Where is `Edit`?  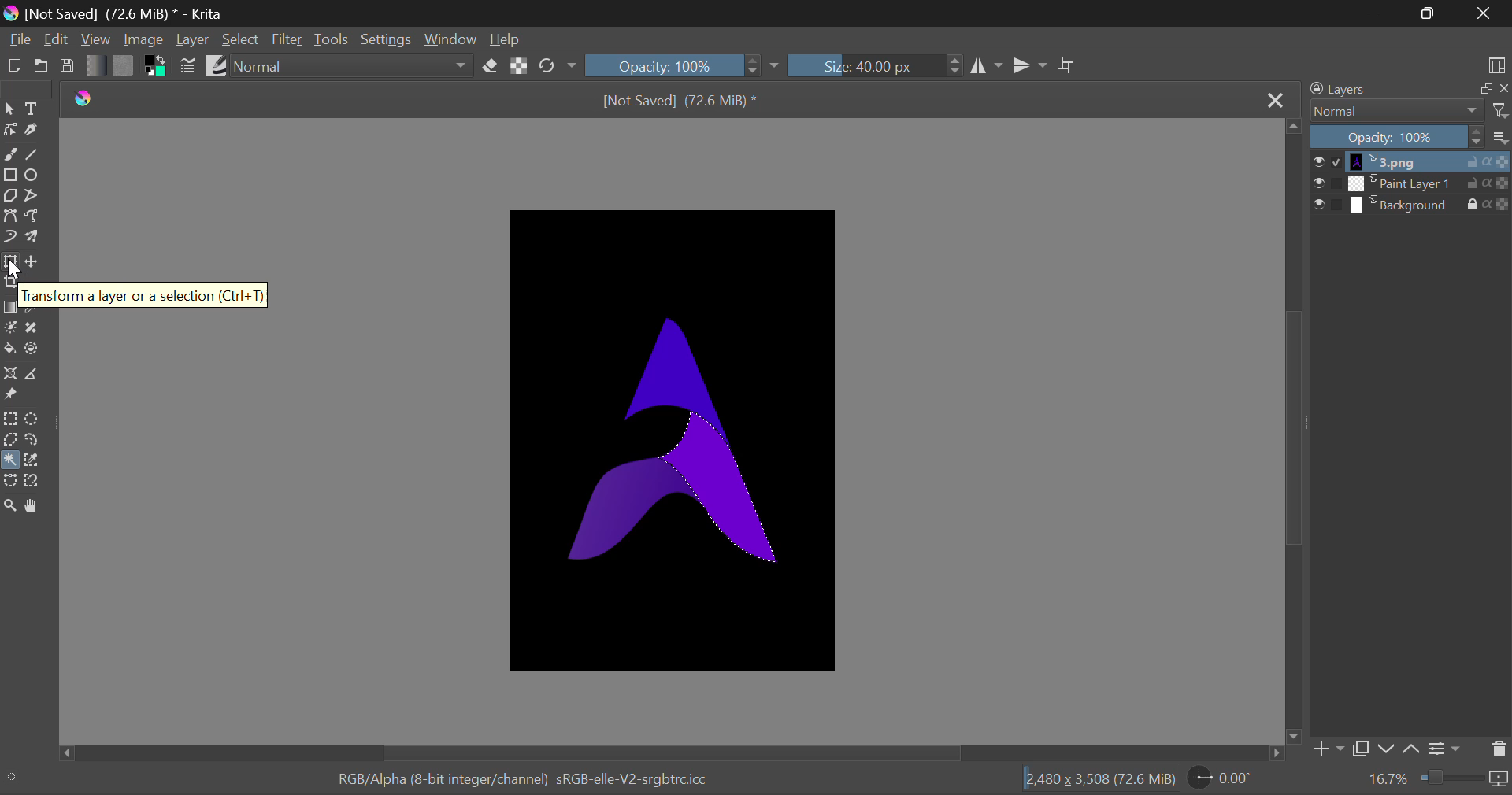 Edit is located at coordinates (58, 39).